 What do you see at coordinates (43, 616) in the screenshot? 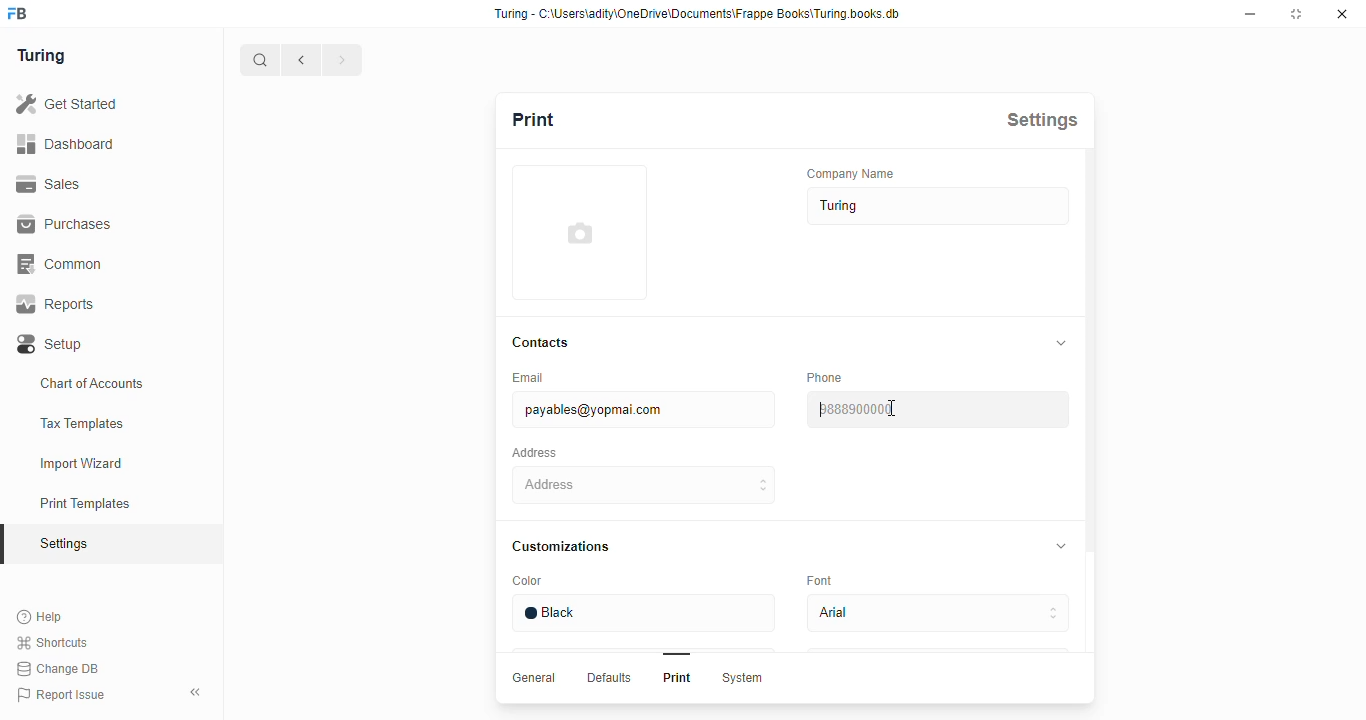
I see `Help` at bounding box center [43, 616].